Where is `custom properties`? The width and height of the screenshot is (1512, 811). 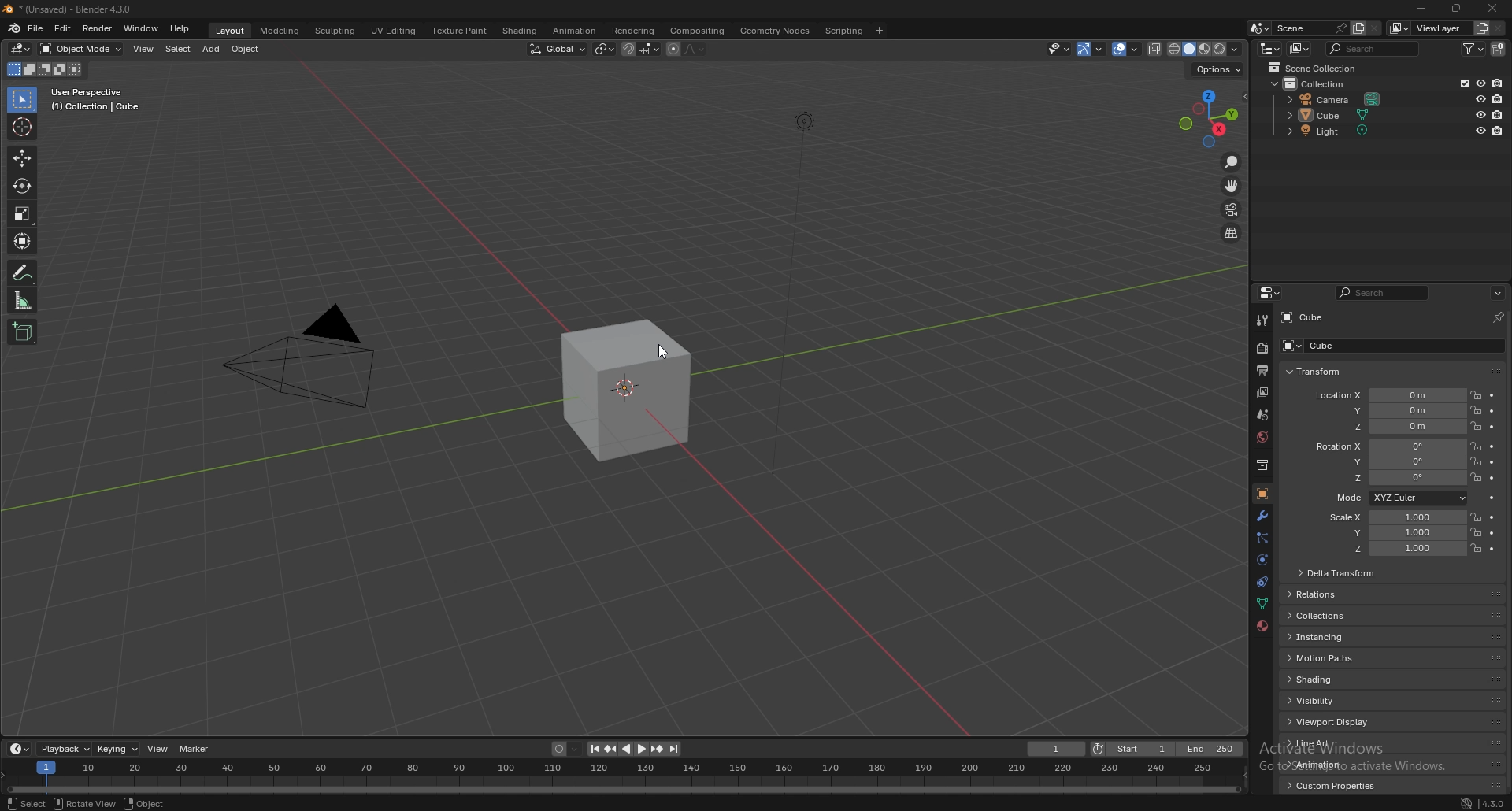
custom properties is located at coordinates (1332, 785).